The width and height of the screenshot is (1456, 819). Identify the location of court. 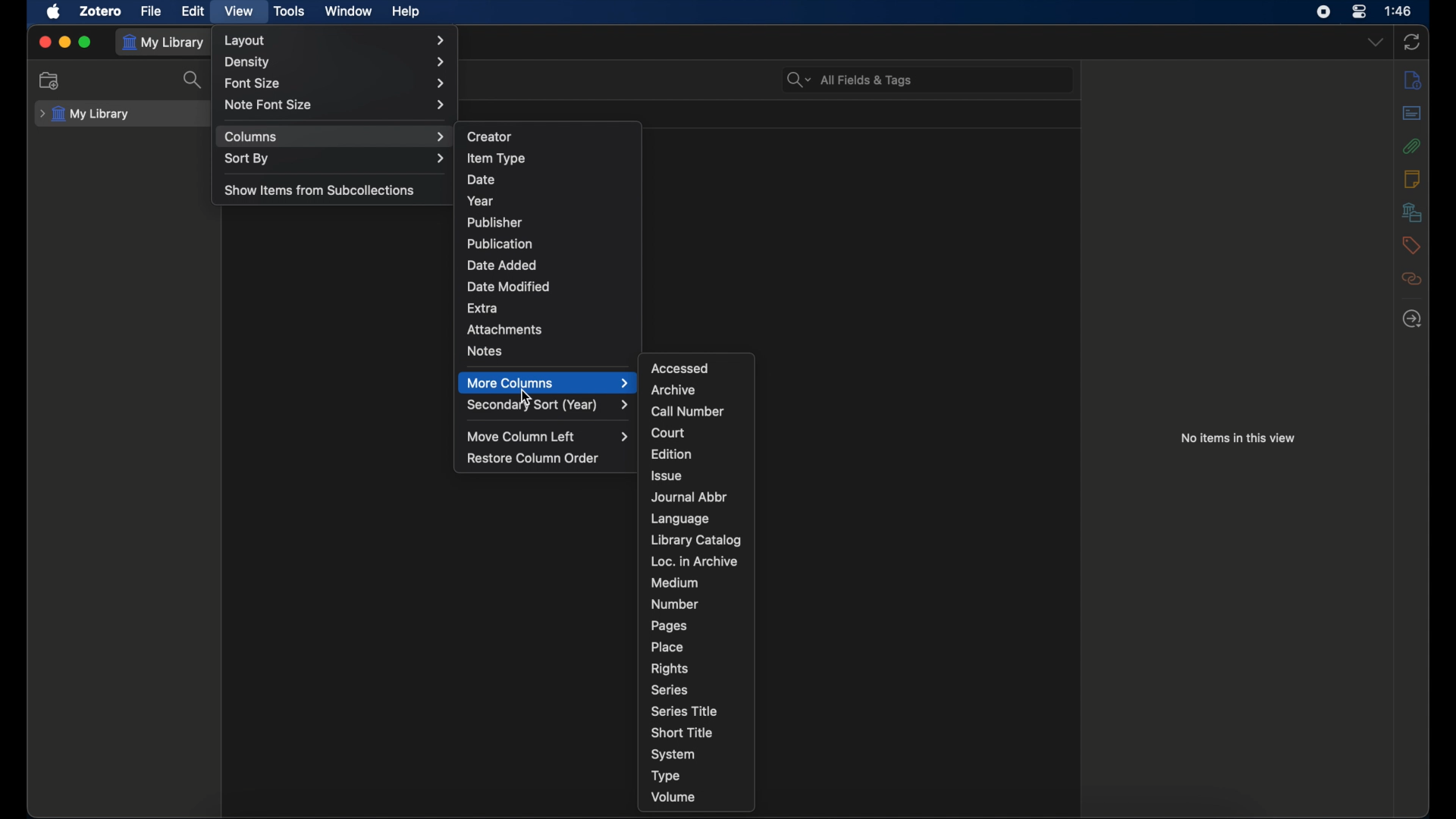
(669, 432).